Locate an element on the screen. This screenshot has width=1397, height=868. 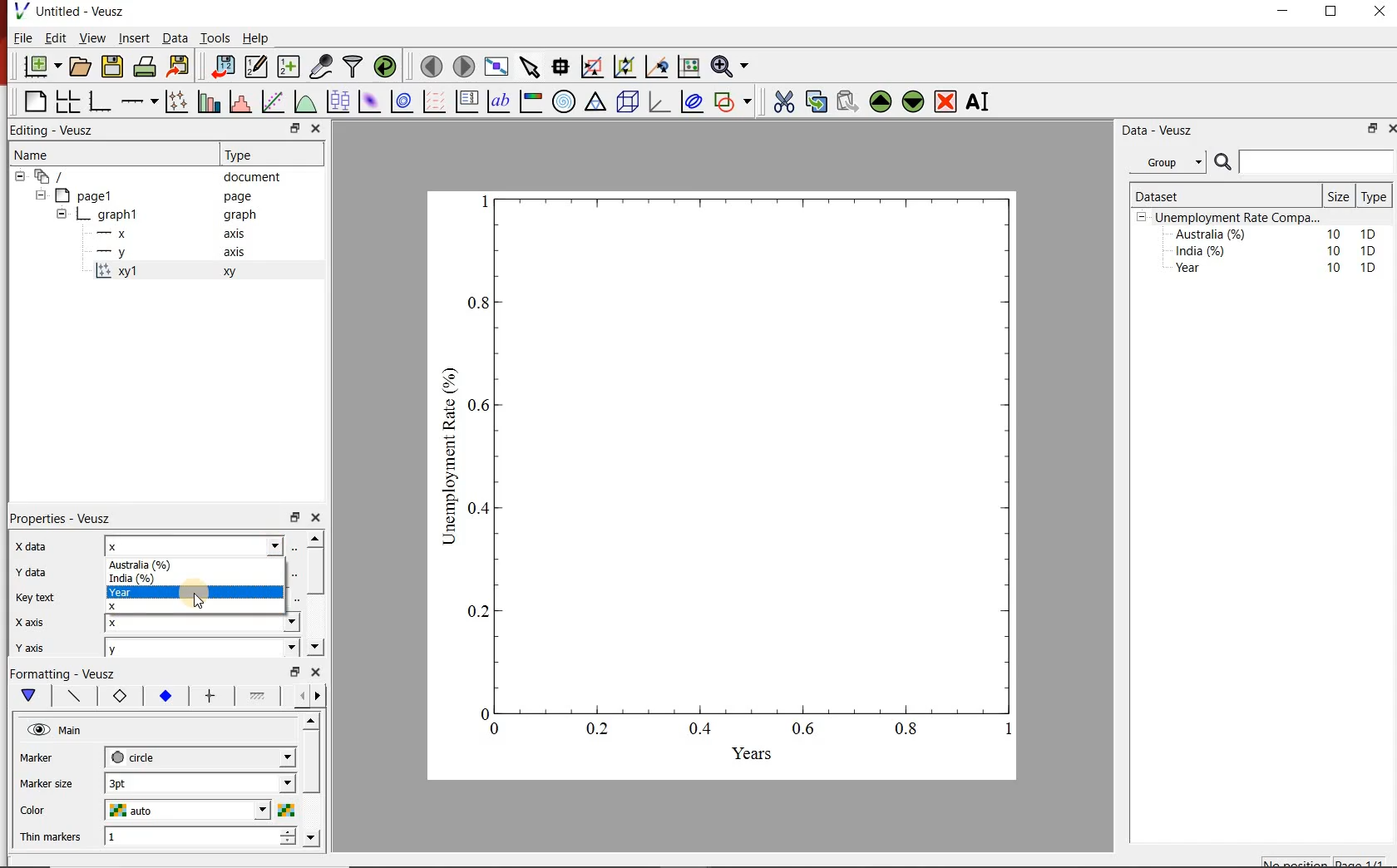
key text is located at coordinates (34, 598).